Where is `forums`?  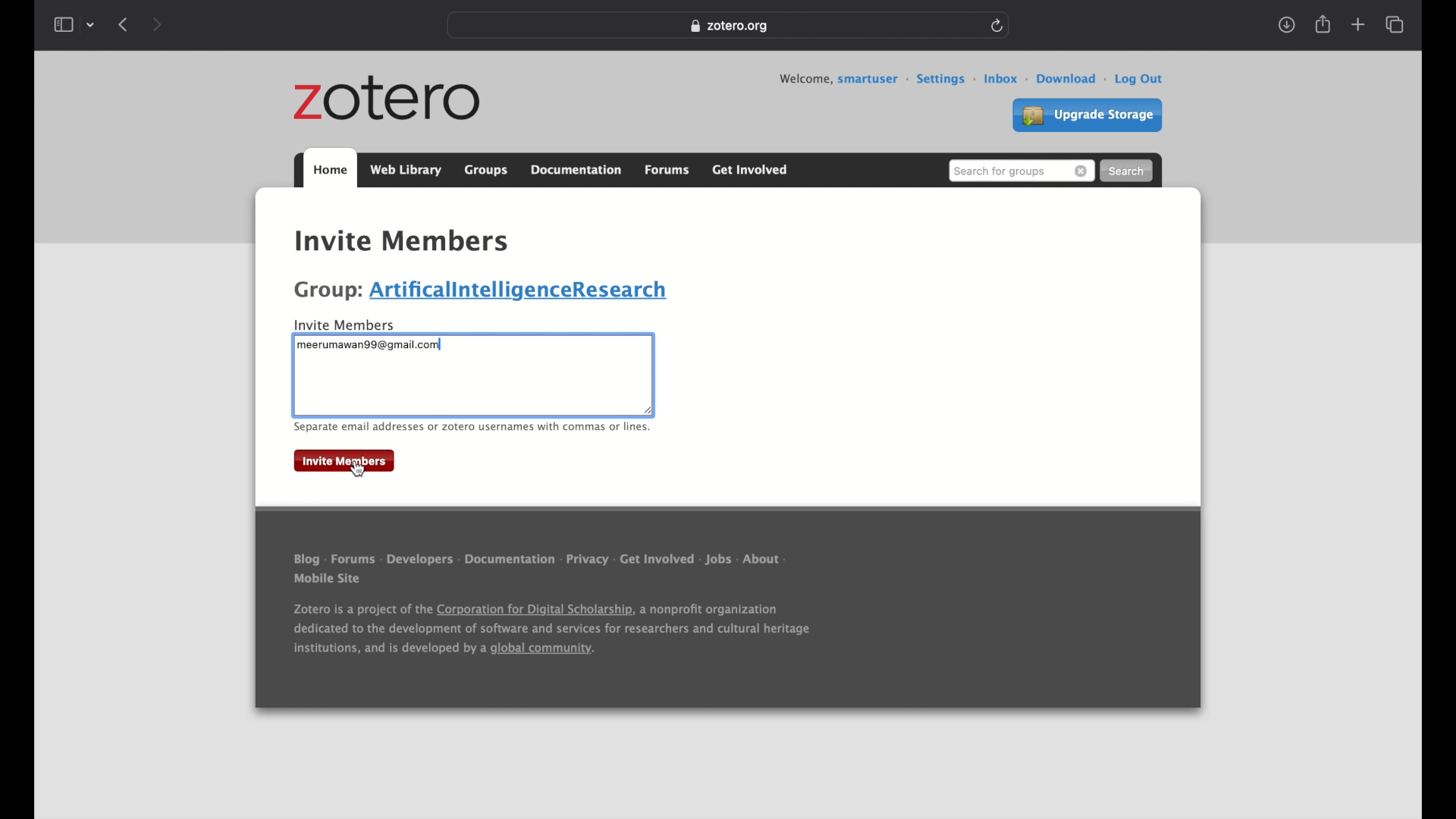
forums is located at coordinates (668, 171).